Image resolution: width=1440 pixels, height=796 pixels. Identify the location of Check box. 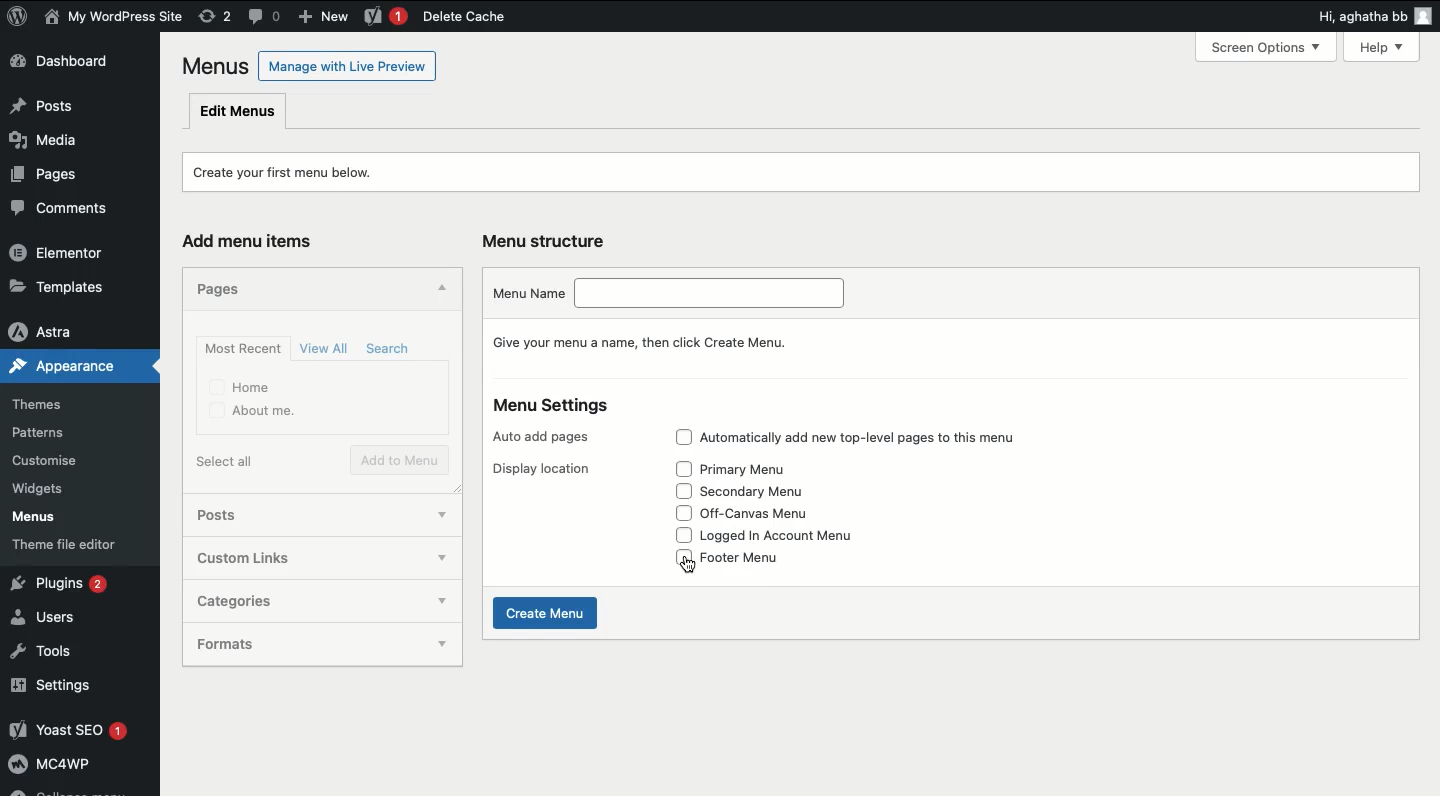
(677, 469).